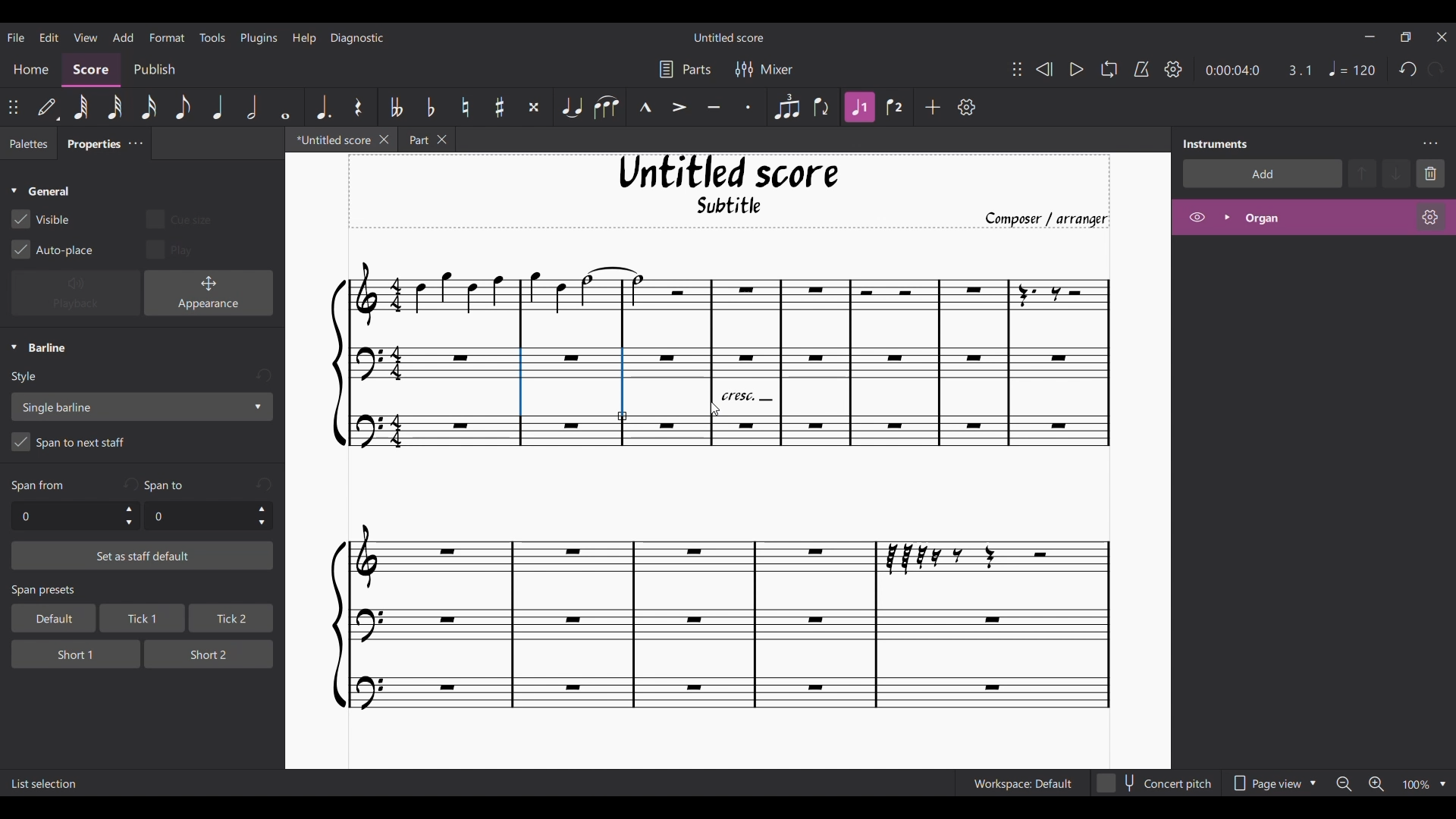  Describe the element at coordinates (465, 107) in the screenshot. I see `Toggle natural` at that location.